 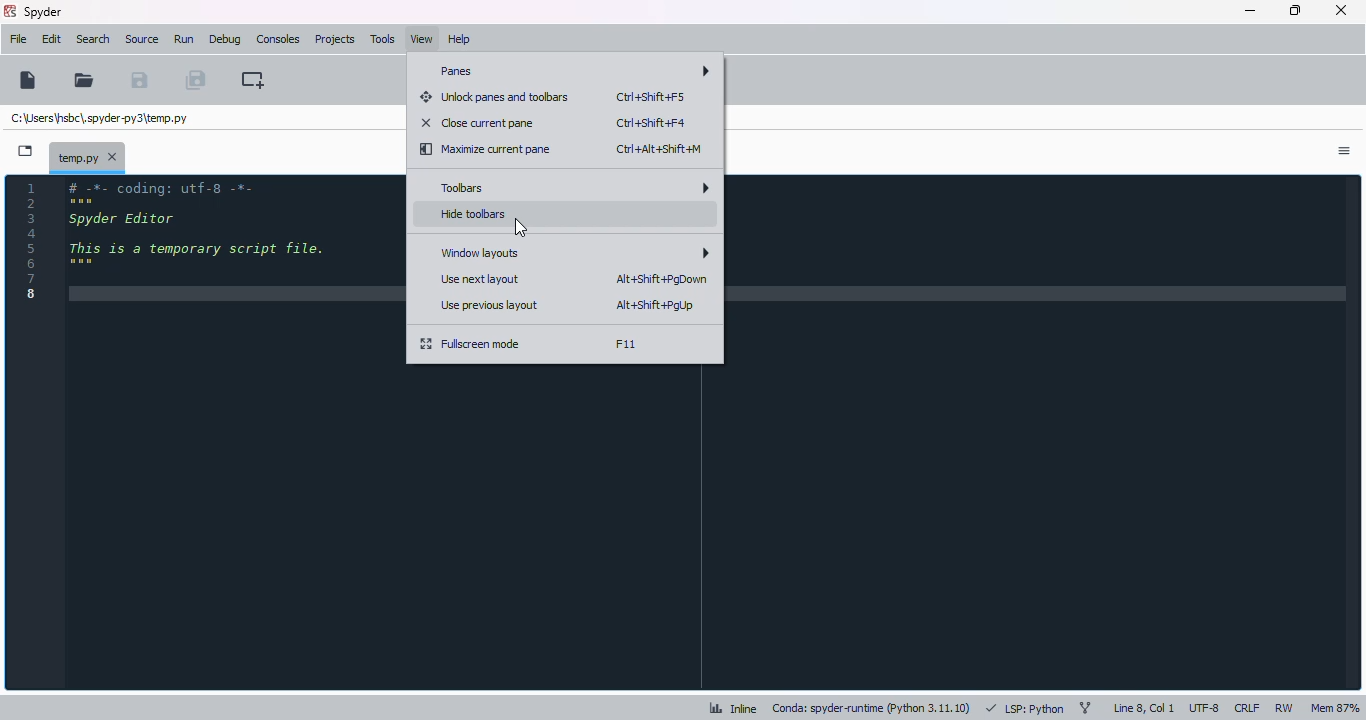 I want to click on projects, so click(x=335, y=39).